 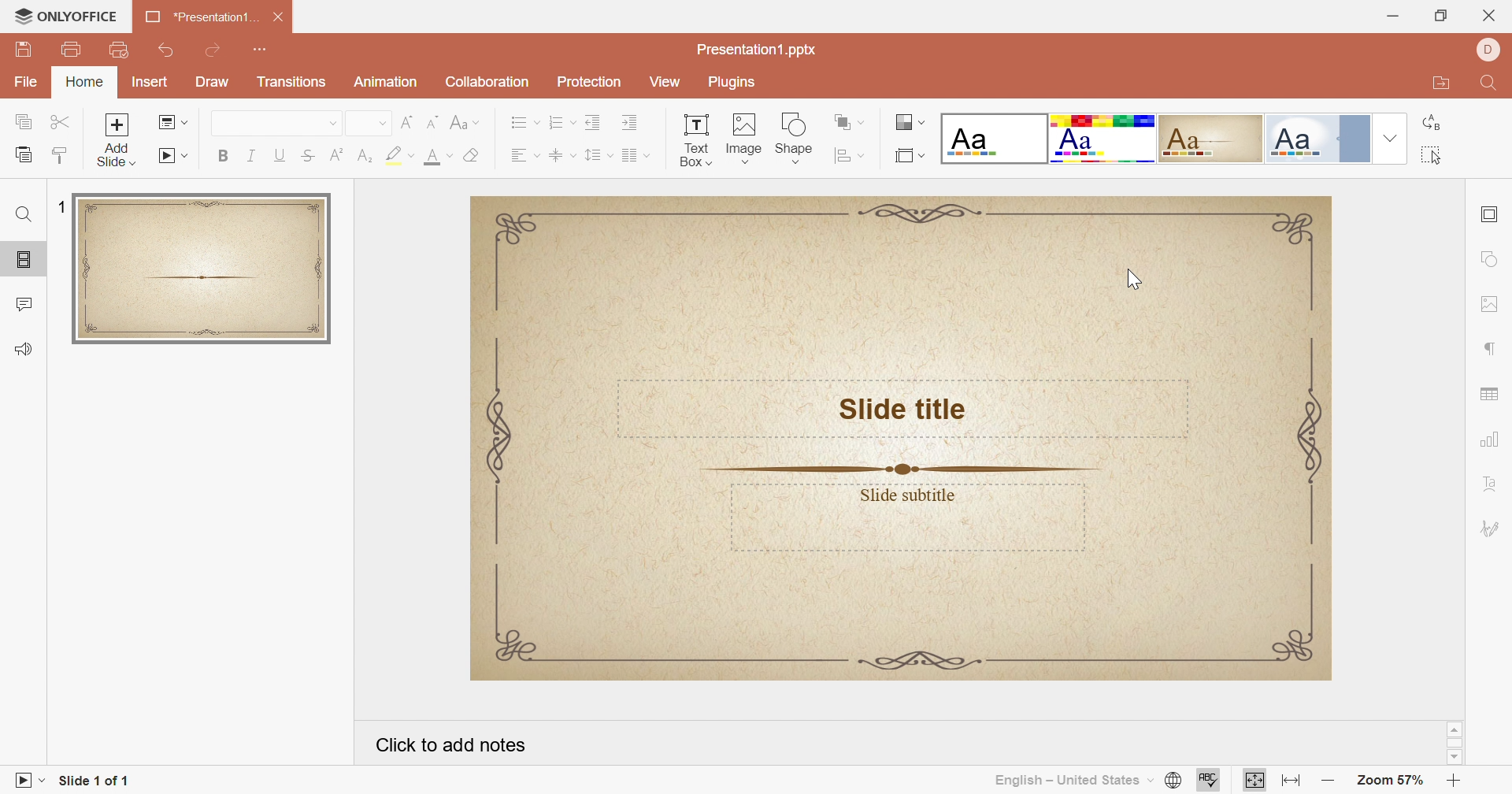 I want to click on Drop Down, so click(x=612, y=154).